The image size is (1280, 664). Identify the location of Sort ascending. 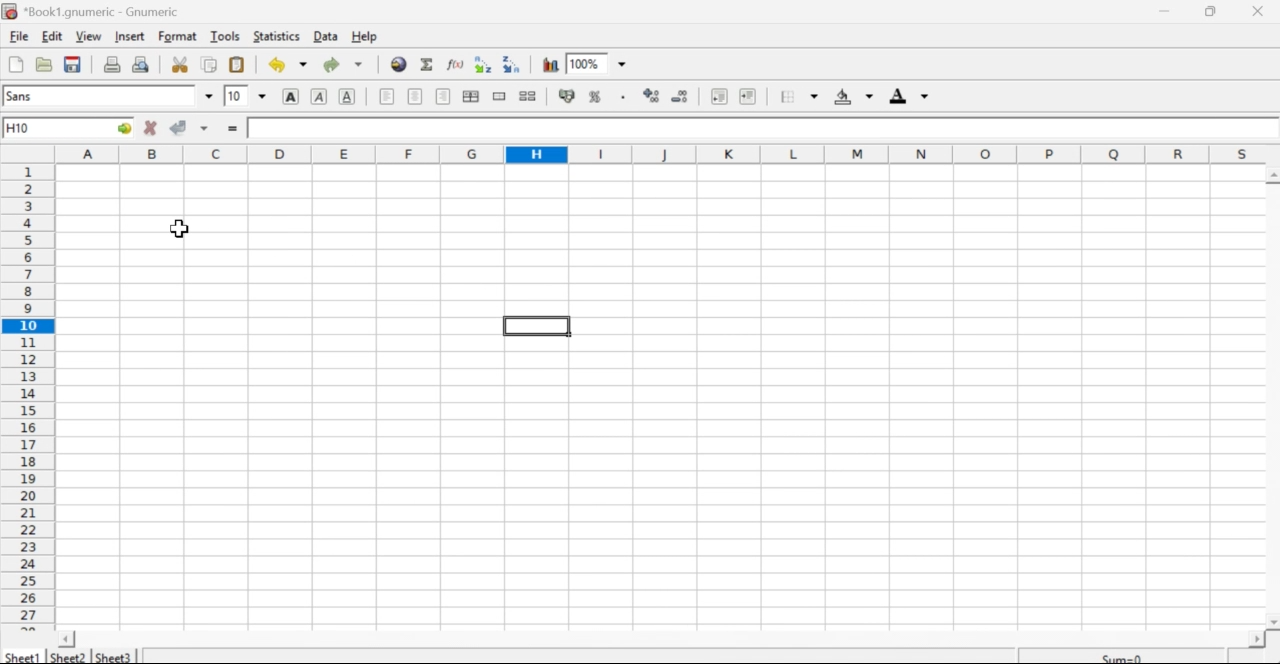
(483, 65).